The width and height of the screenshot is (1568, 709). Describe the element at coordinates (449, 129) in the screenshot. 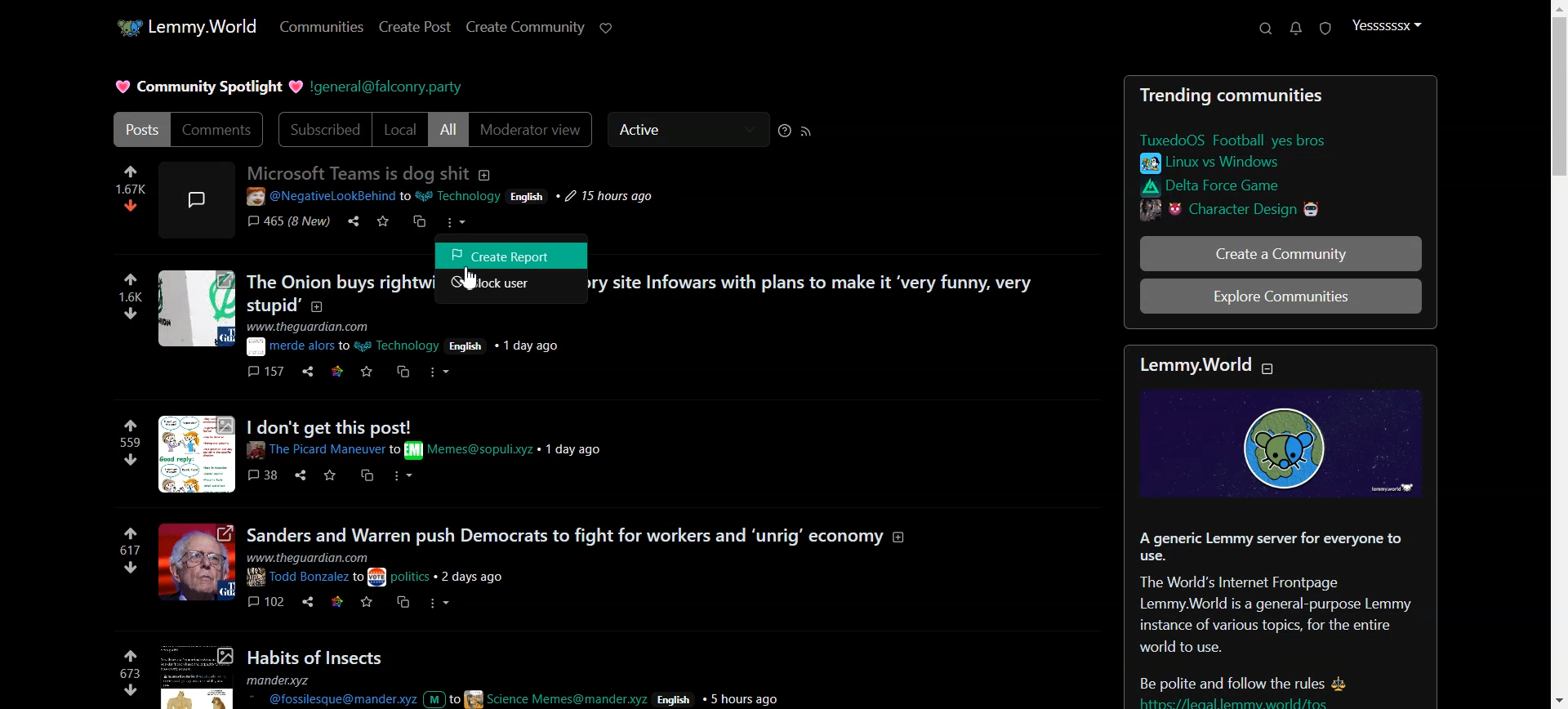

I see `All` at that location.